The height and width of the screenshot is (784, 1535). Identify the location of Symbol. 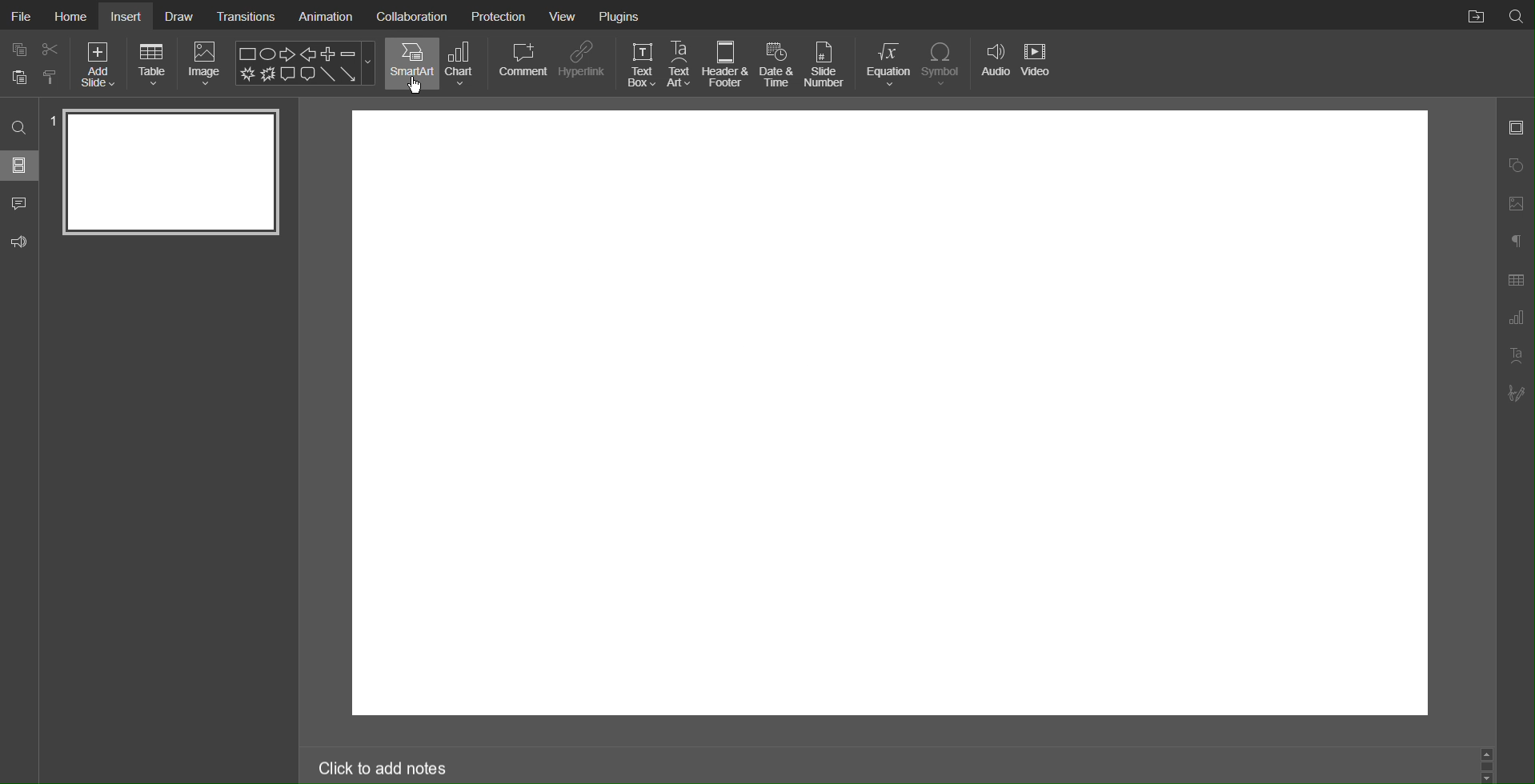
(944, 63).